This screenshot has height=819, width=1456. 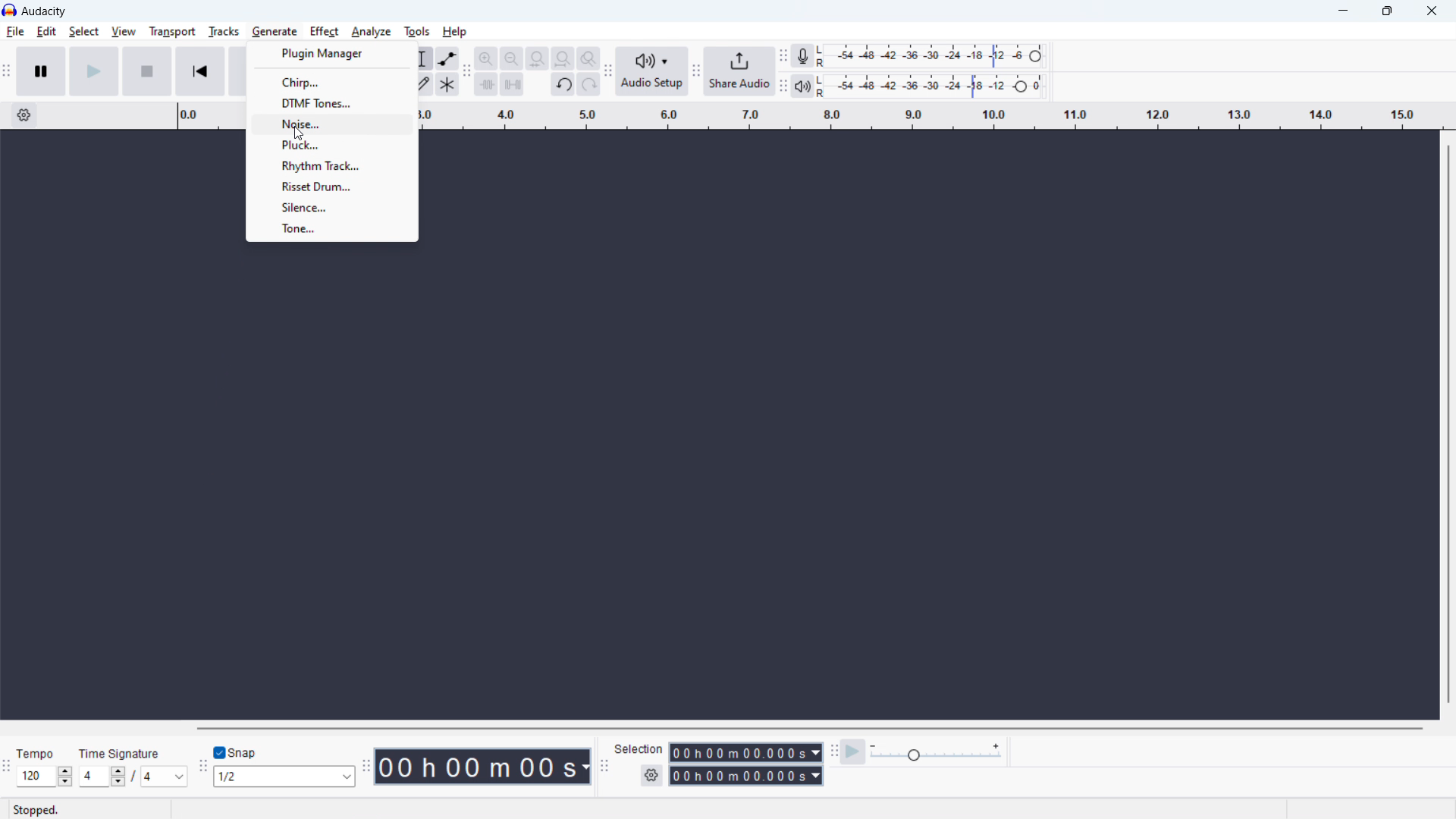 I want to click on rhythm track, so click(x=332, y=167).